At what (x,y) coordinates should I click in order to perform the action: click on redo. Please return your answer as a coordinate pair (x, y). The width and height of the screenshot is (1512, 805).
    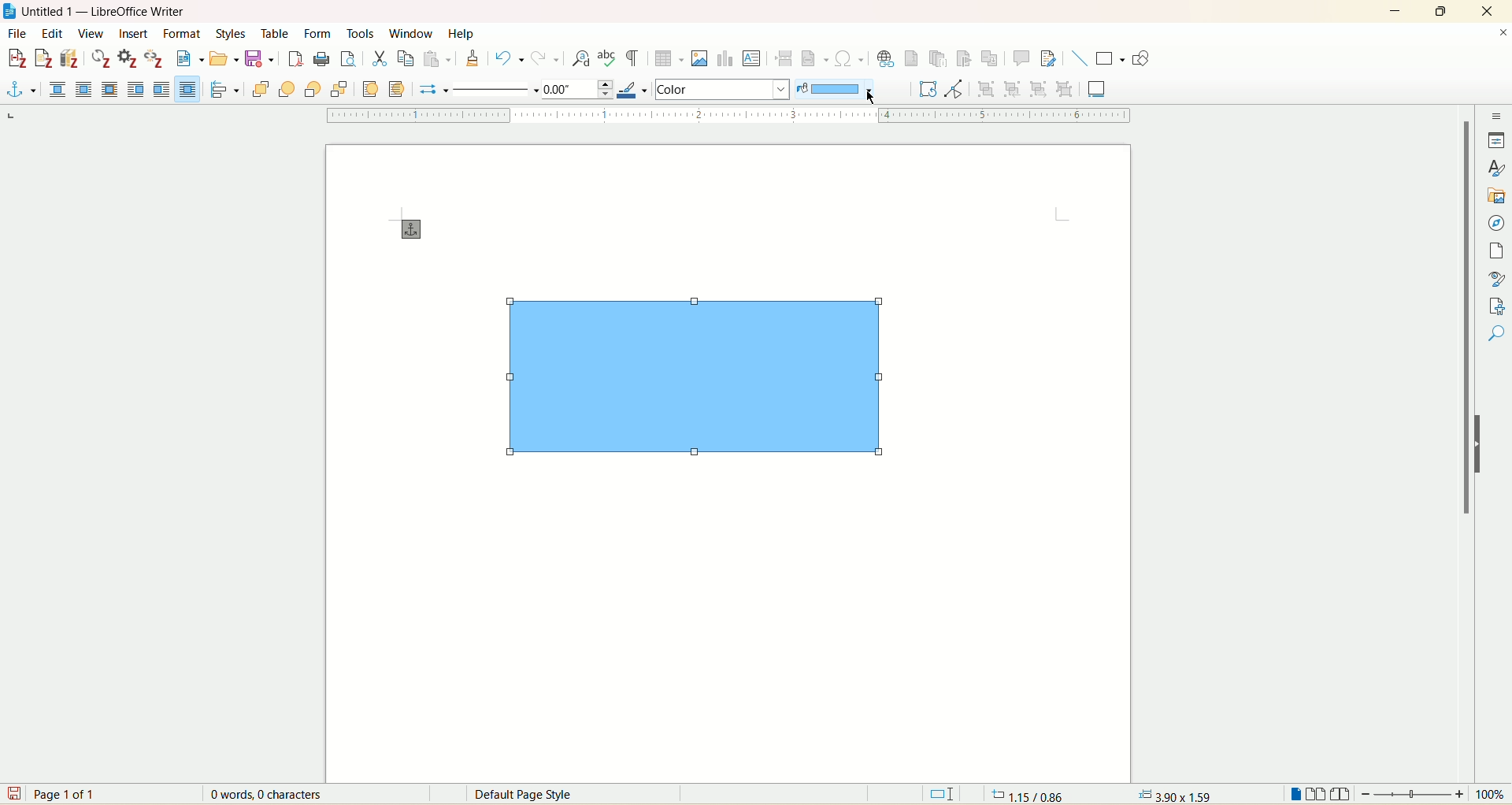
    Looking at the image, I should click on (547, 60).